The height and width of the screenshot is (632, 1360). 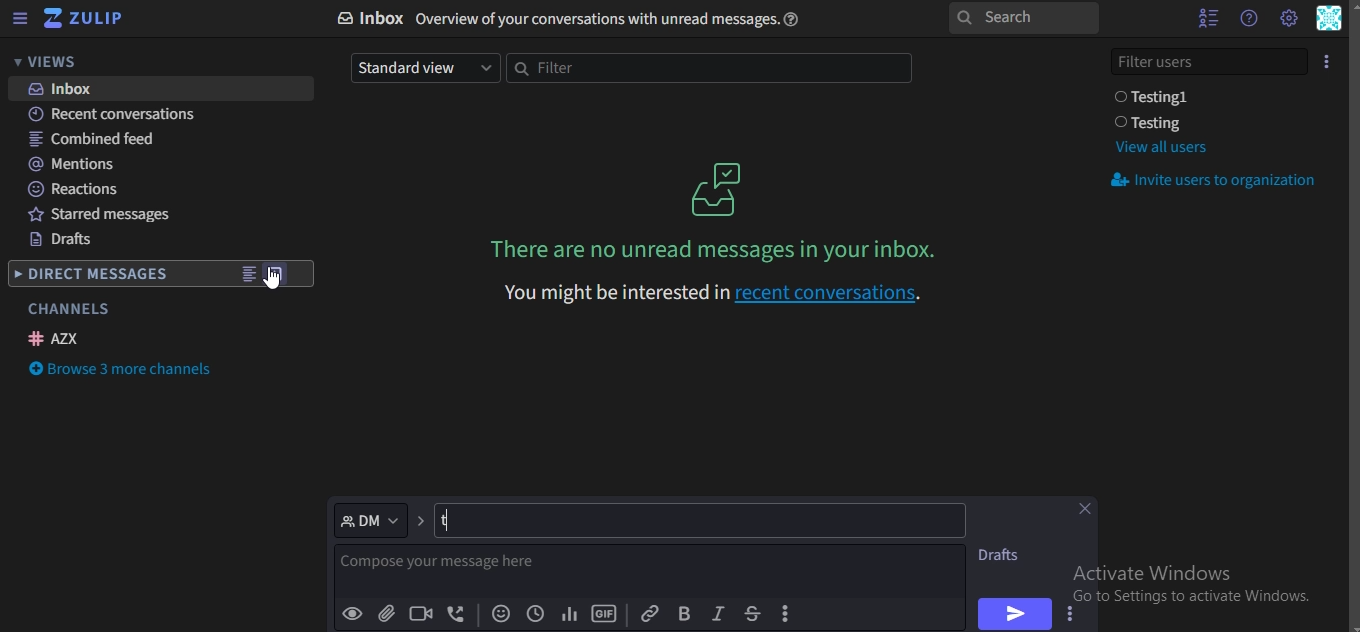 I want to click on hide left sidebar, so click(x=20, y=20).